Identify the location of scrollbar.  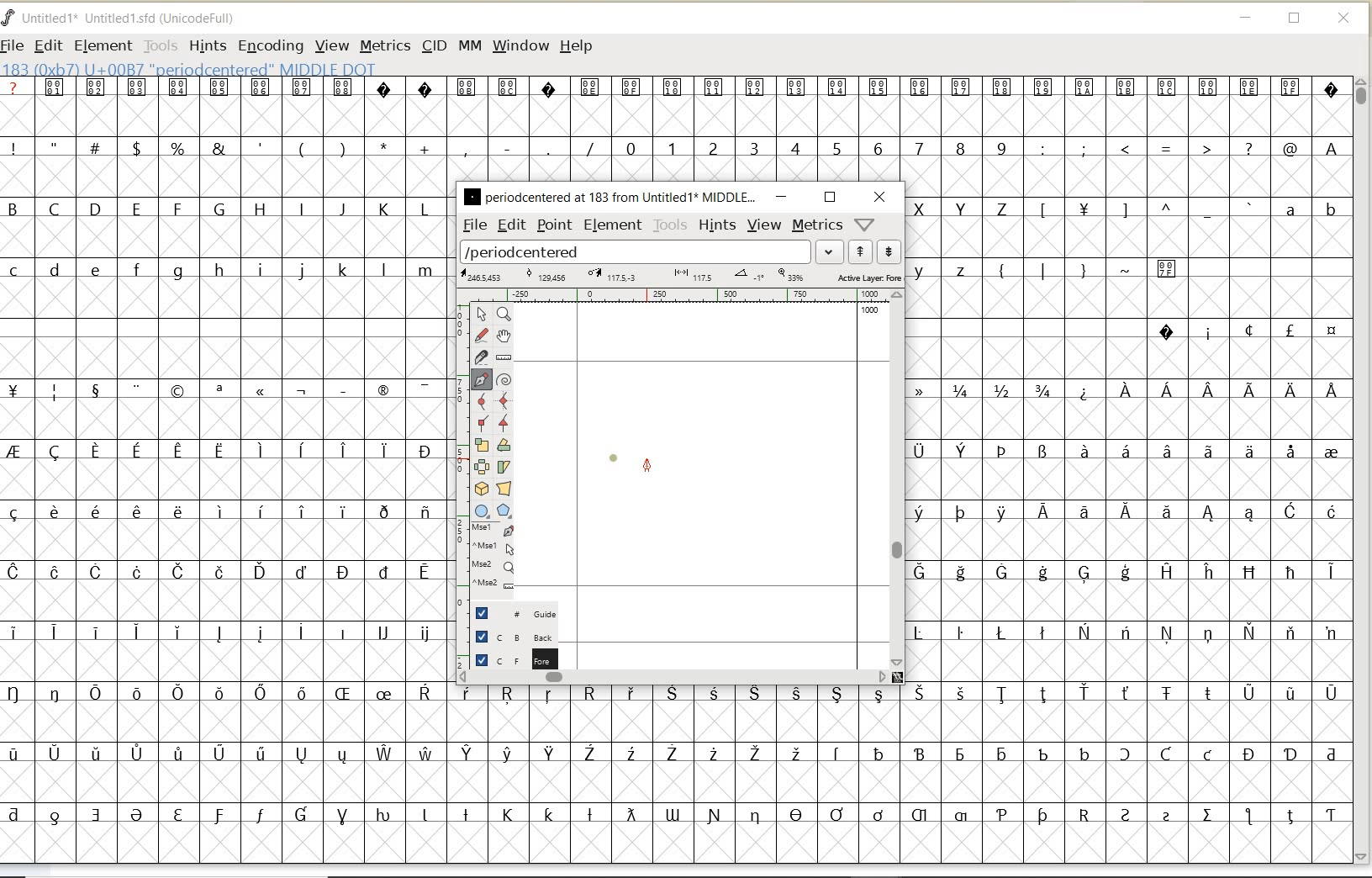
(899, 478).